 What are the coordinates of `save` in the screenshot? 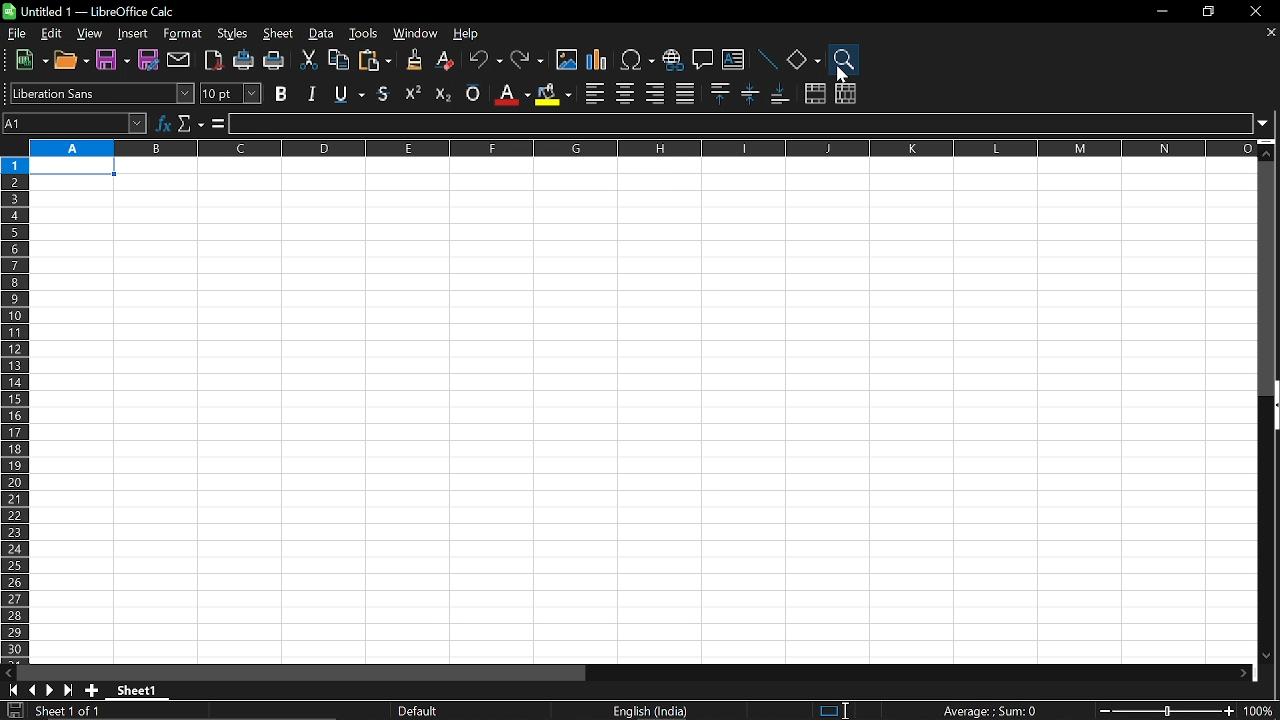 It's located at (14, 711).